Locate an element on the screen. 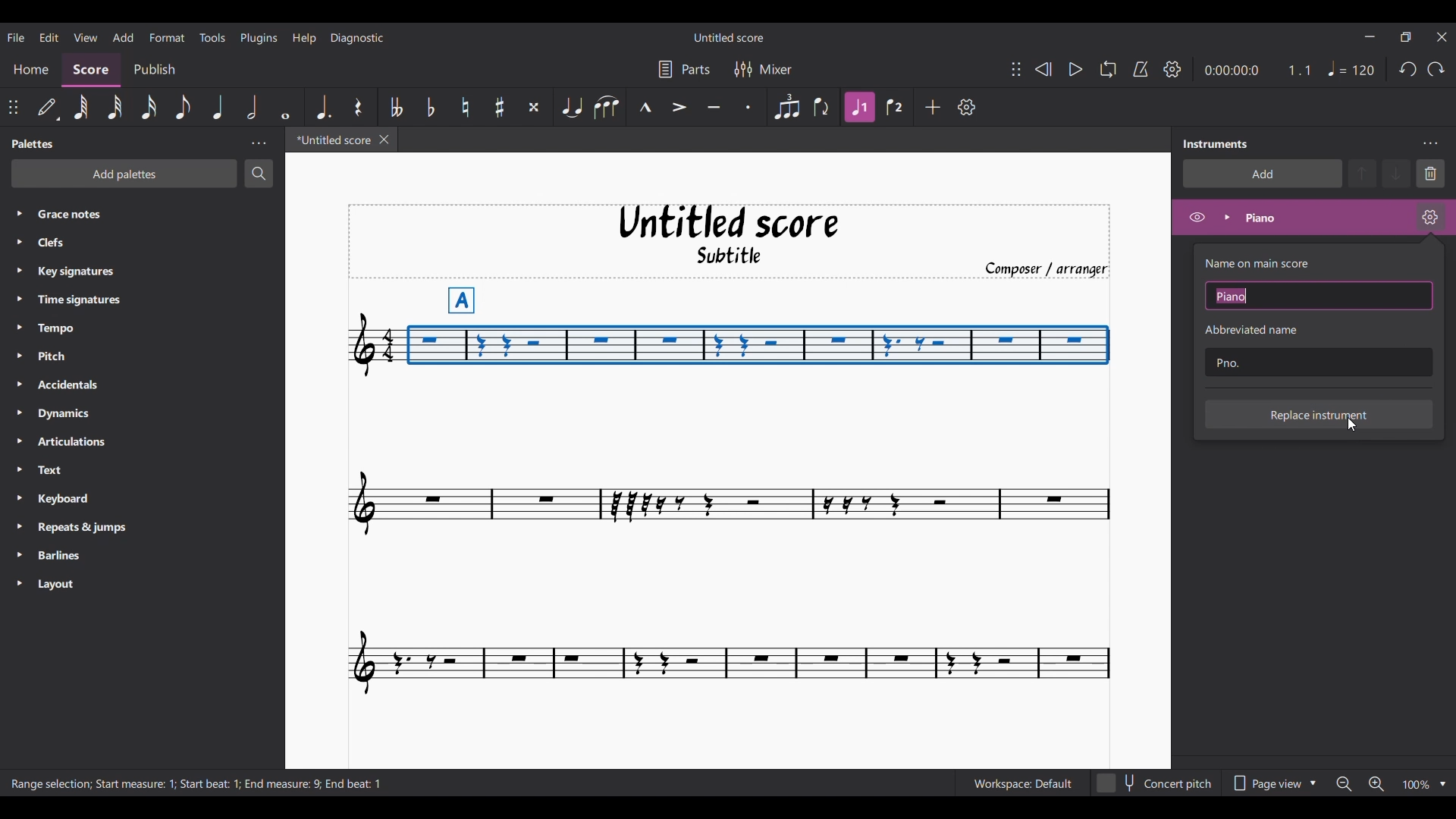 The image size is (1456, 819). A is located at coordinates (463, 296).